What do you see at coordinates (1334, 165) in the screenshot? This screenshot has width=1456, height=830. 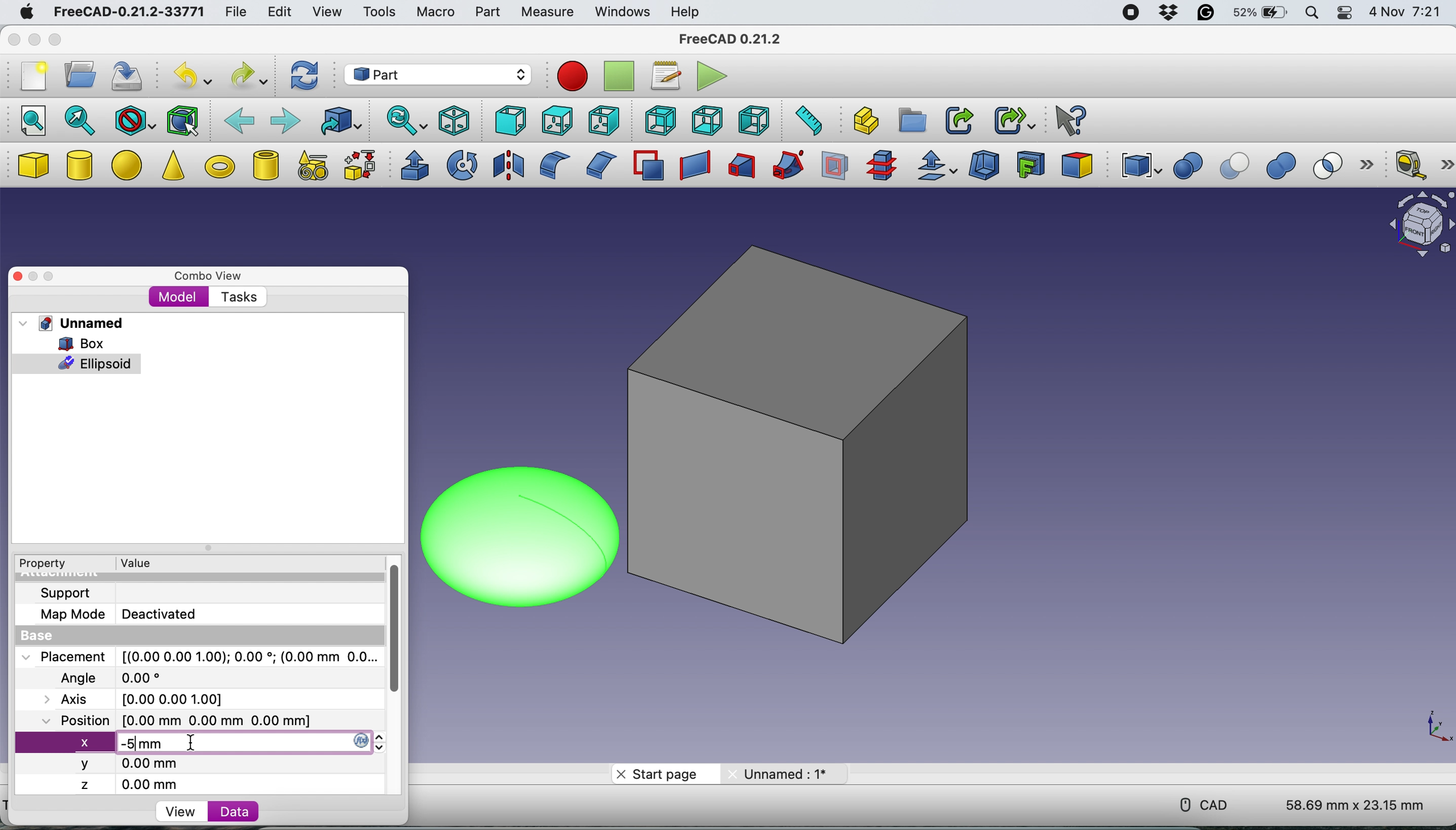 I see `intersection` at bounding box center [1334, 165].